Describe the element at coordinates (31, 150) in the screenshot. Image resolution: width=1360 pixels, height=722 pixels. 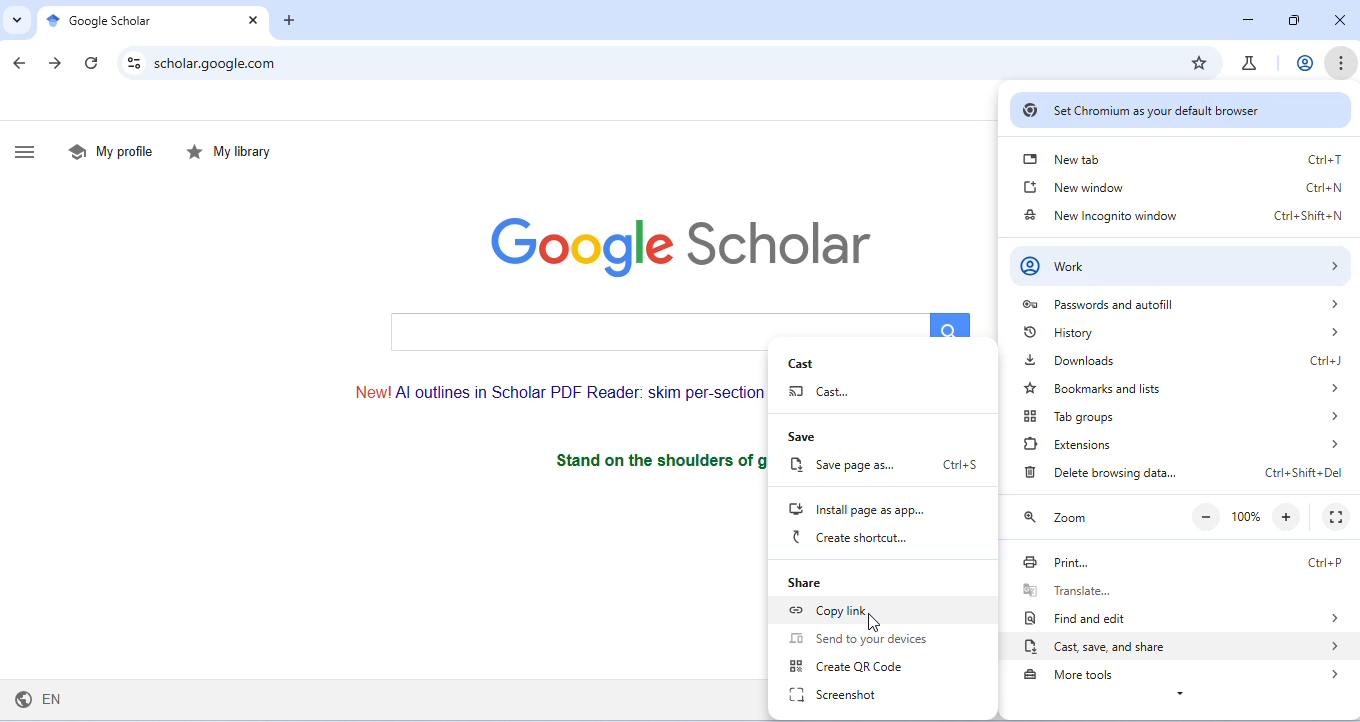
I see `show side bar` at that location.